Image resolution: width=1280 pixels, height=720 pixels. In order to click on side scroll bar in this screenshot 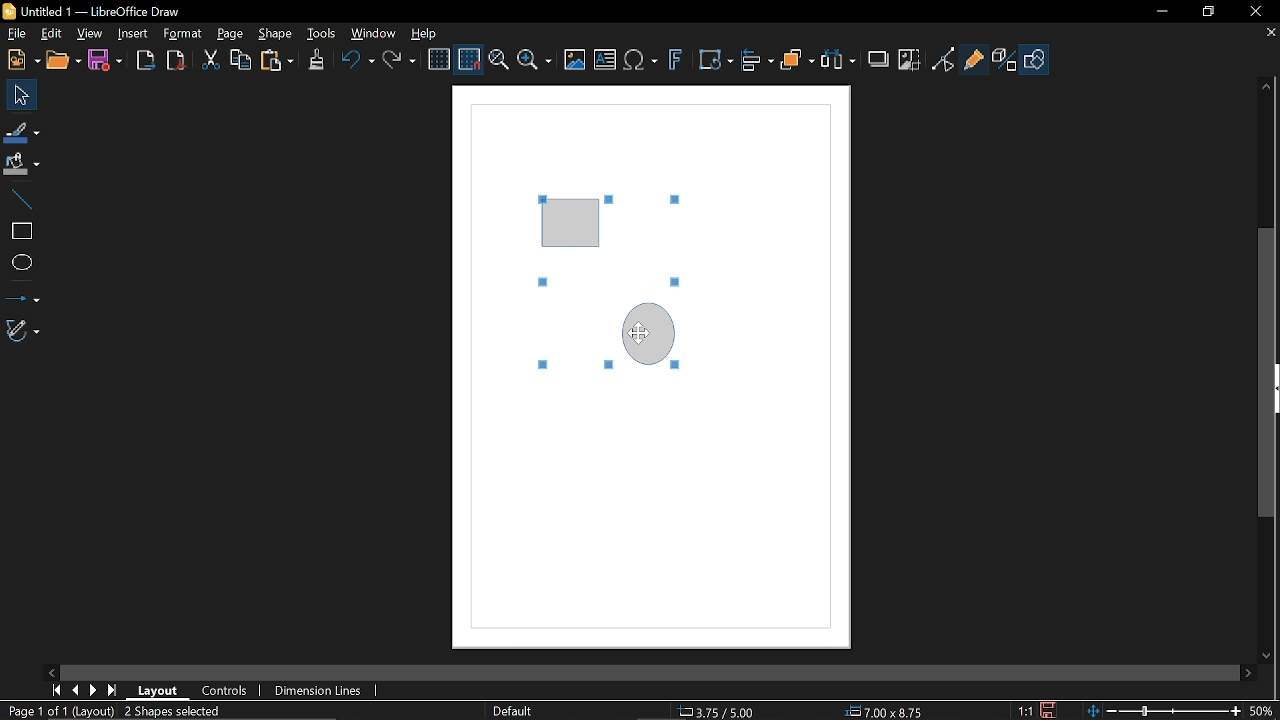, I will do `click(636, 672)`.